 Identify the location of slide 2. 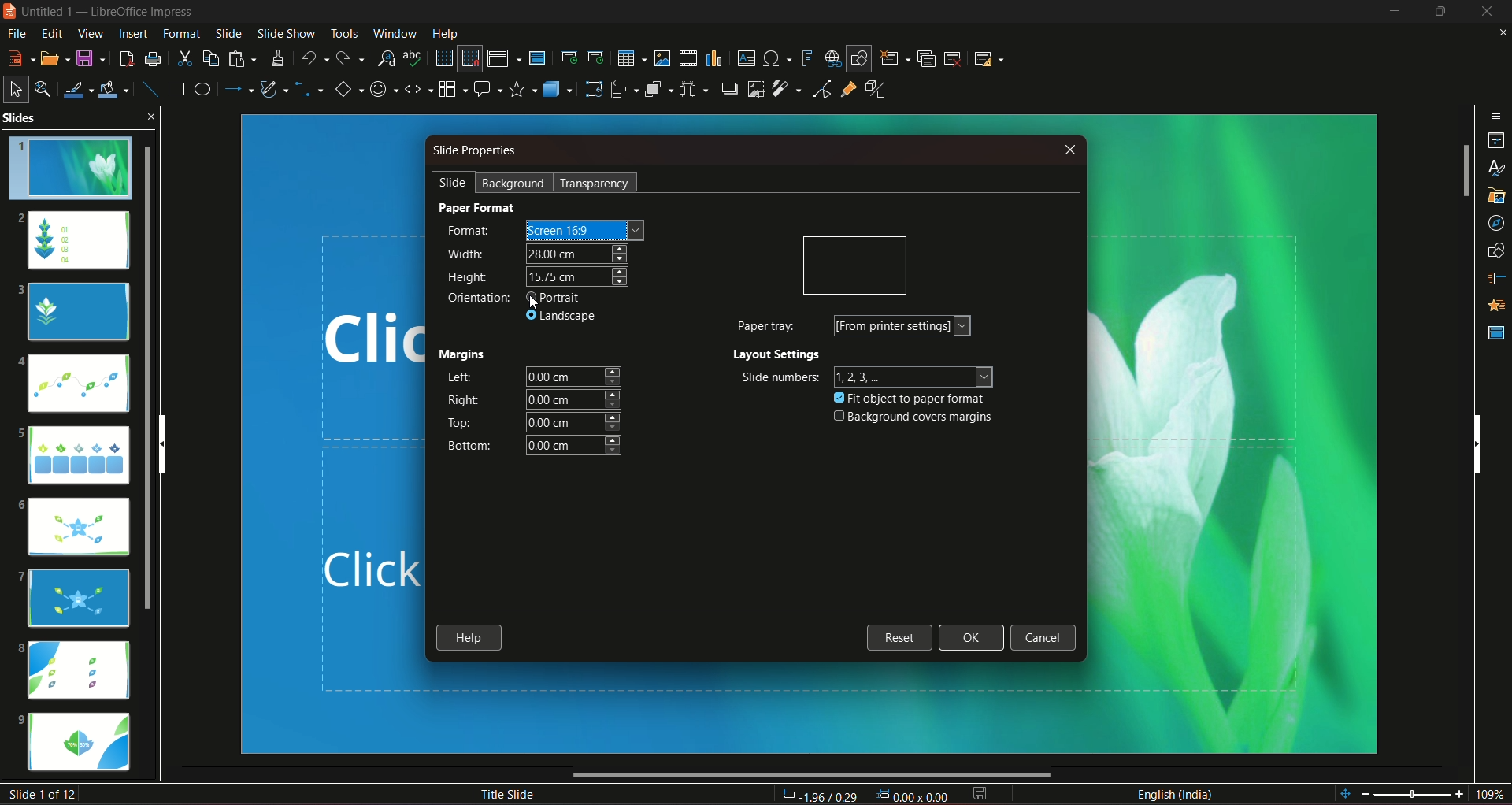
(74, 242).